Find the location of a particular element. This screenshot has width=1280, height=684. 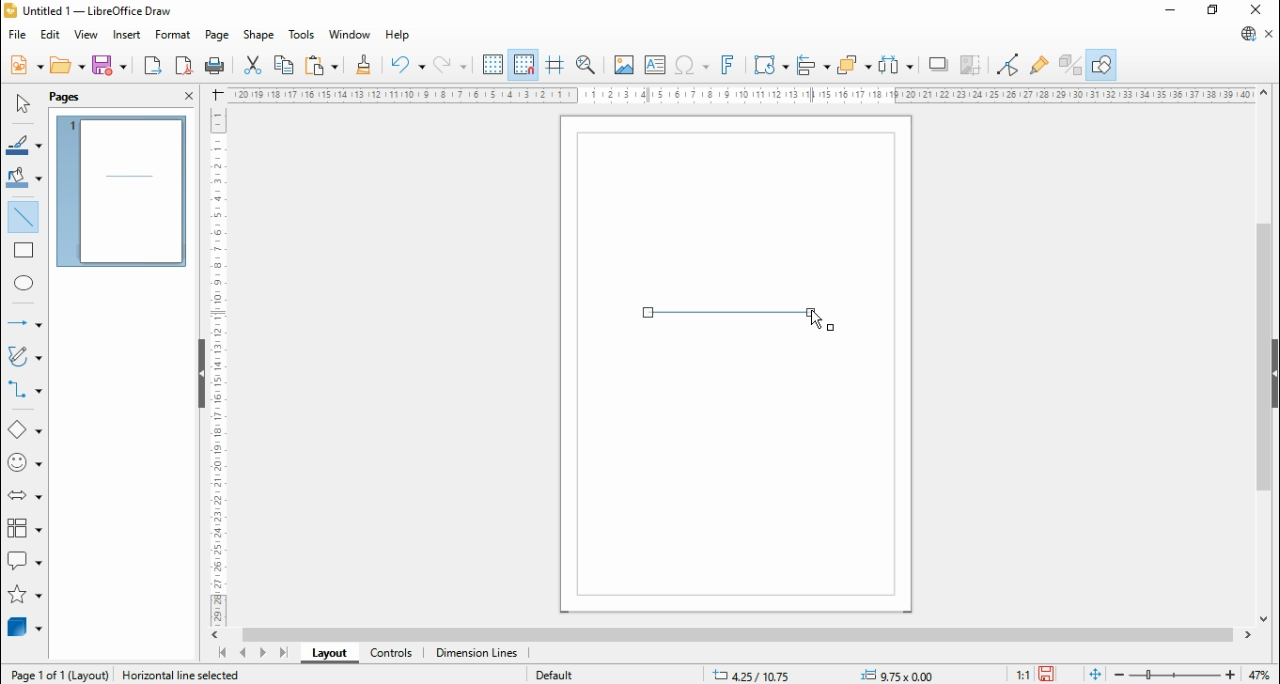

page is located at coordinates (215, 35).